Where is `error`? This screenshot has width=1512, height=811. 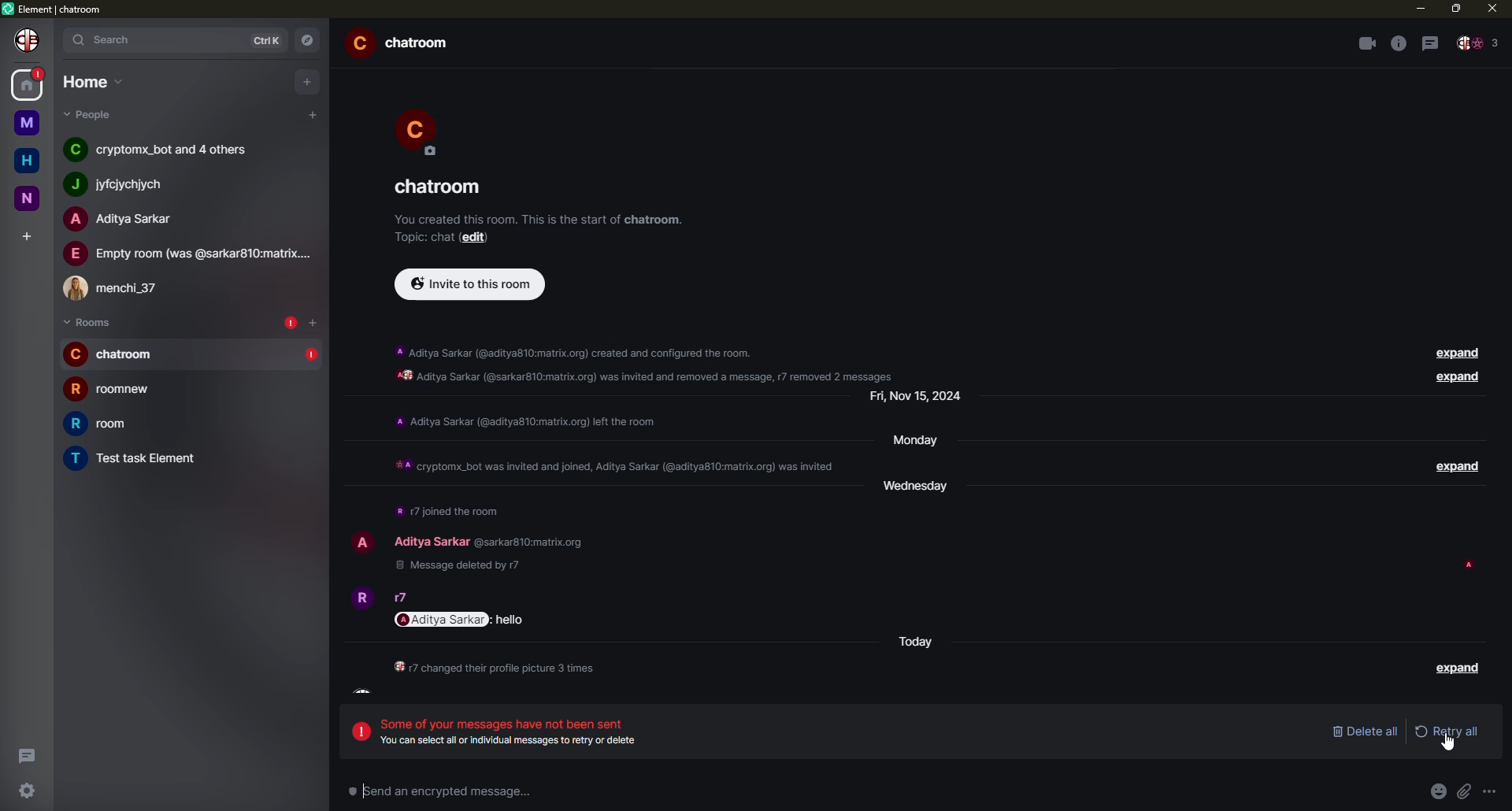
error is located at coordinates (289, 321).